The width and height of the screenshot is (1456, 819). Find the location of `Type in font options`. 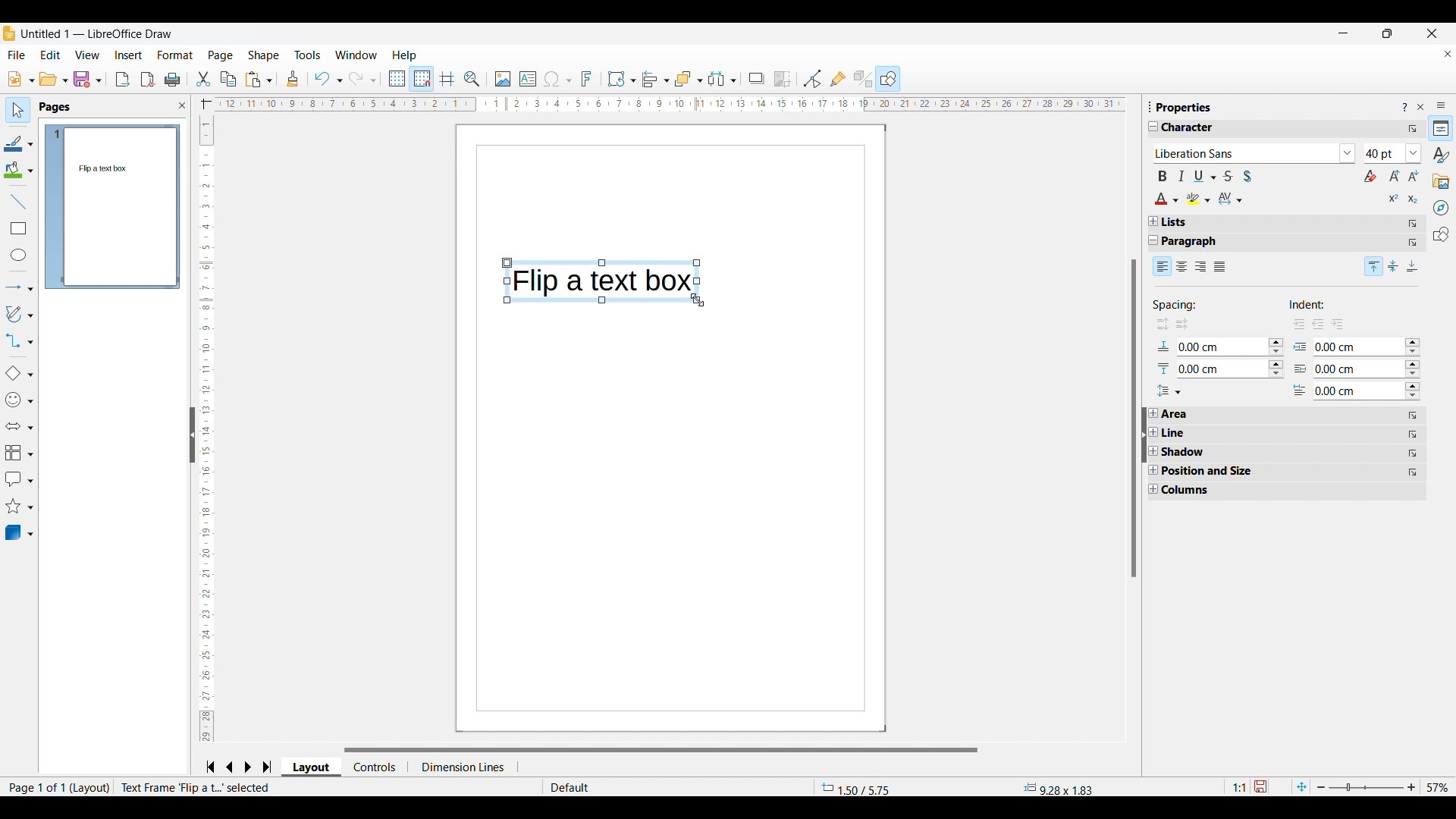

Type in font options is located at coordinates (1245, 154).